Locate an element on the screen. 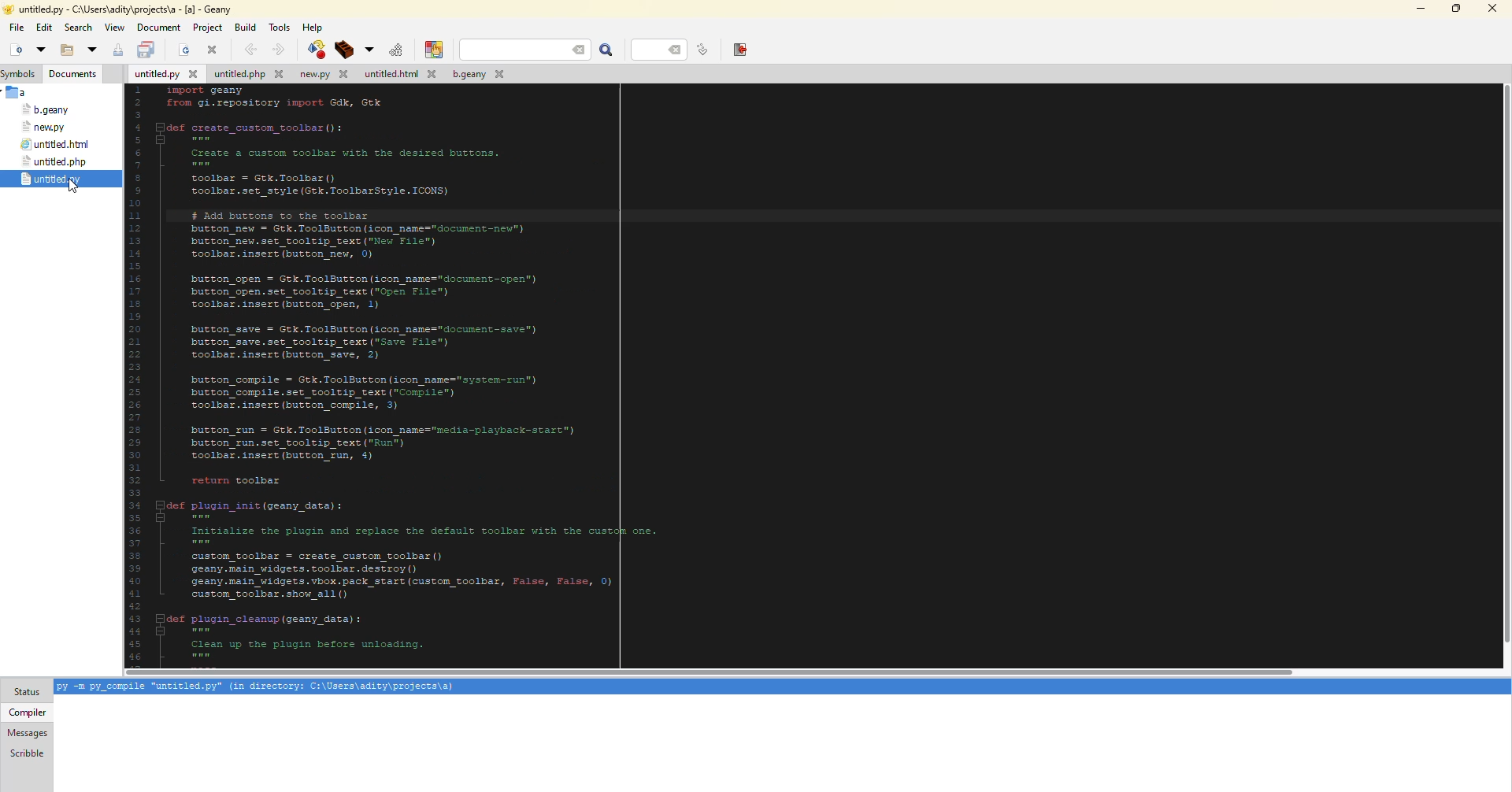 Image resolution: width=1512 pixels, height=792 pixels. build tools is located at coordinates (366, 50).